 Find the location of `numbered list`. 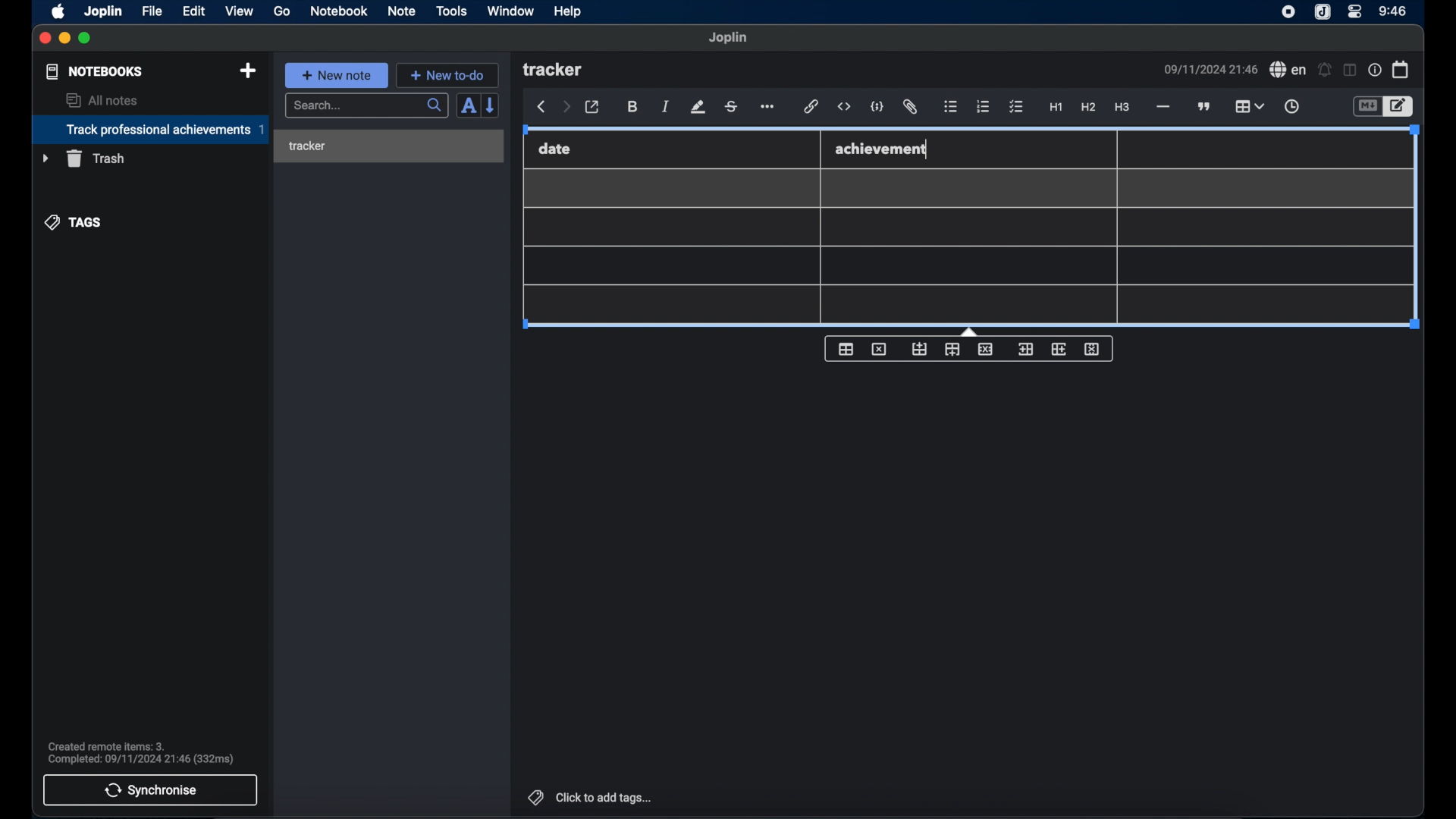

numbered list is located at coordinates (984, 106).